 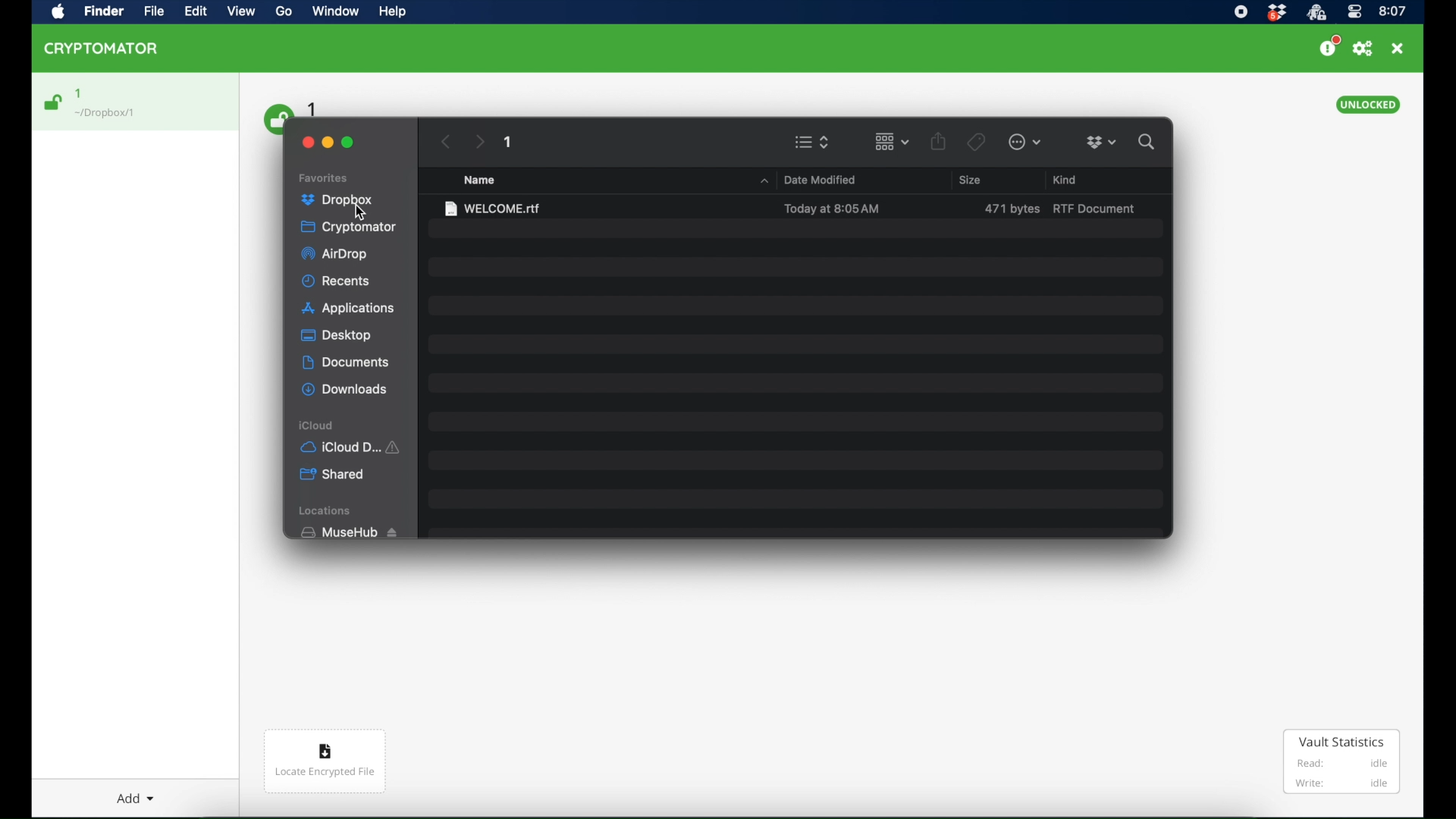 I want to click on 1, so click(x=508, y=142).